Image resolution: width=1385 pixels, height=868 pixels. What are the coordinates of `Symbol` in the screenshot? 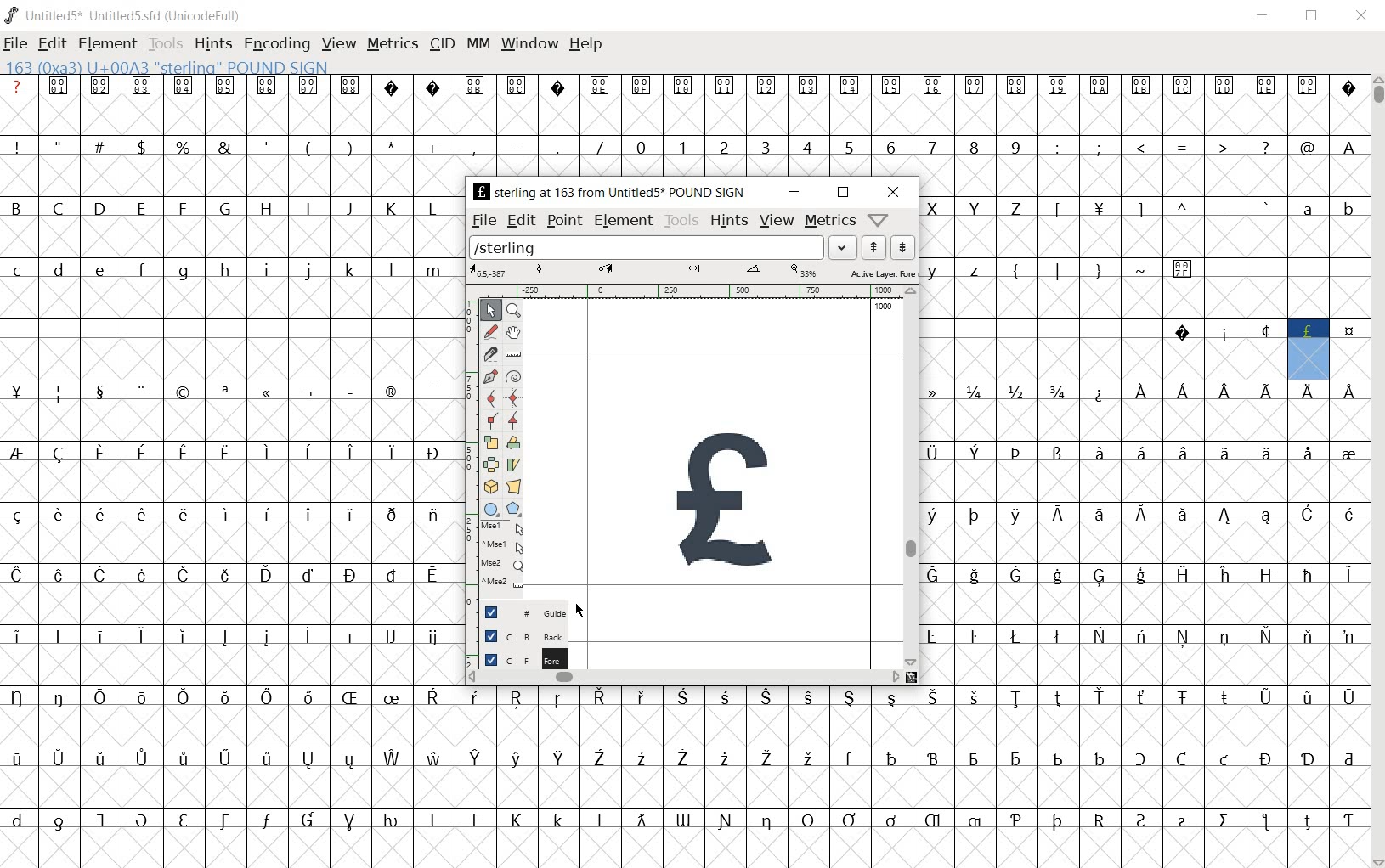 It's located at (349, 454).